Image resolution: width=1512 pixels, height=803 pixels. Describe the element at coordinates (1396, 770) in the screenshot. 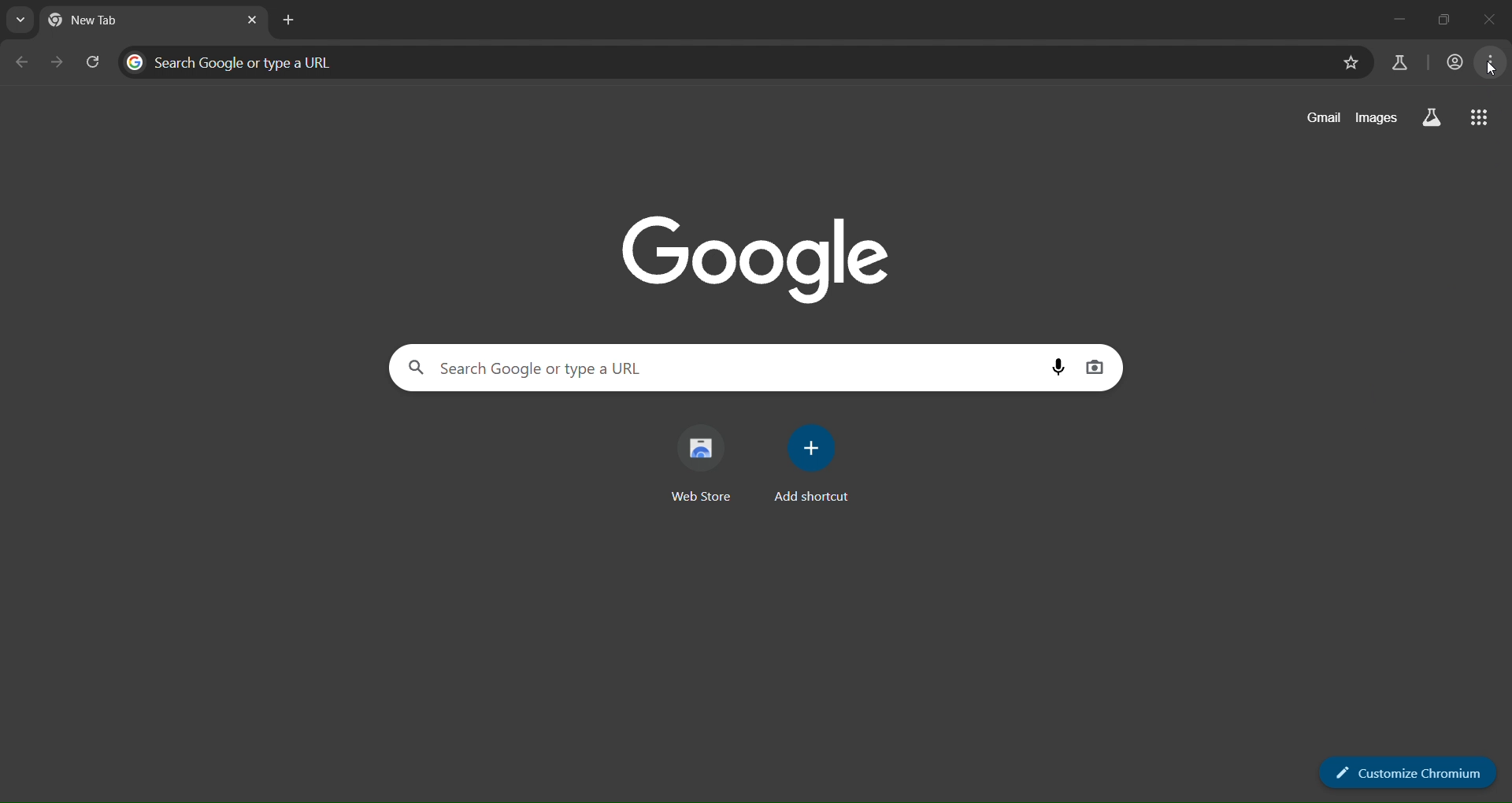

I see `Customize Chrome` at that location.